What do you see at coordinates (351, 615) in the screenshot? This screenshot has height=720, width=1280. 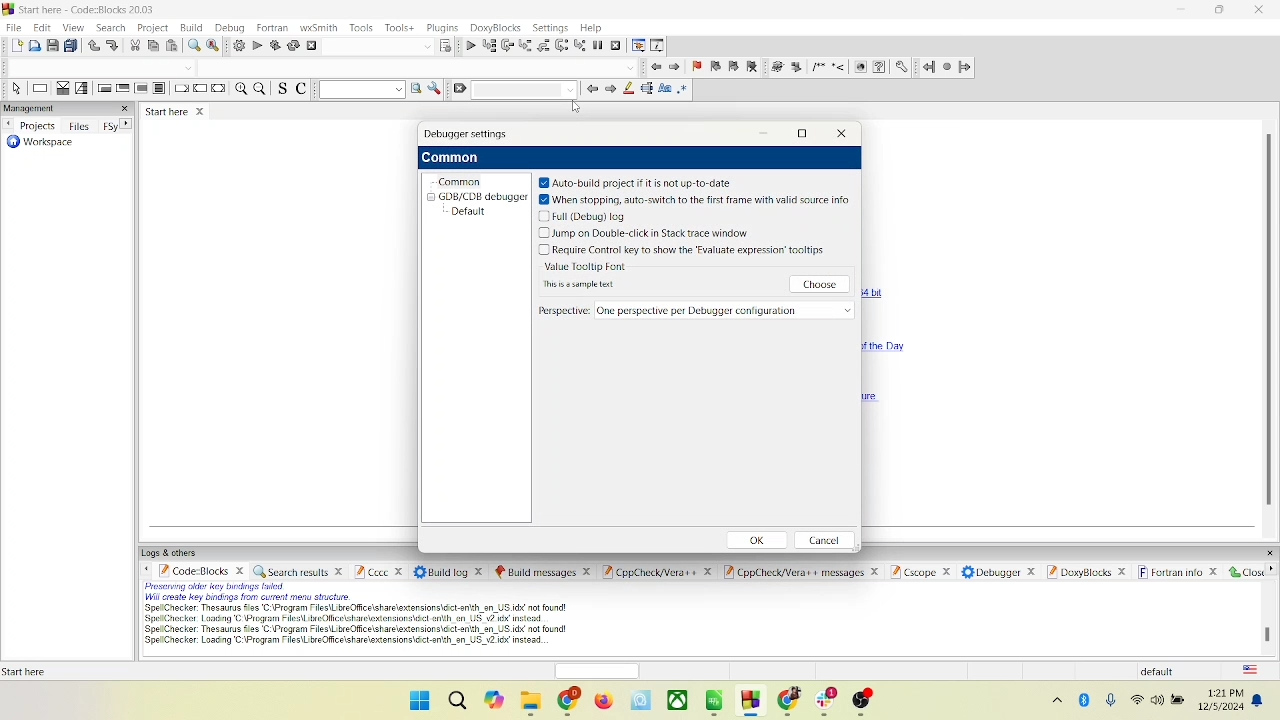 I see `text` at bounding box center [351, 615].